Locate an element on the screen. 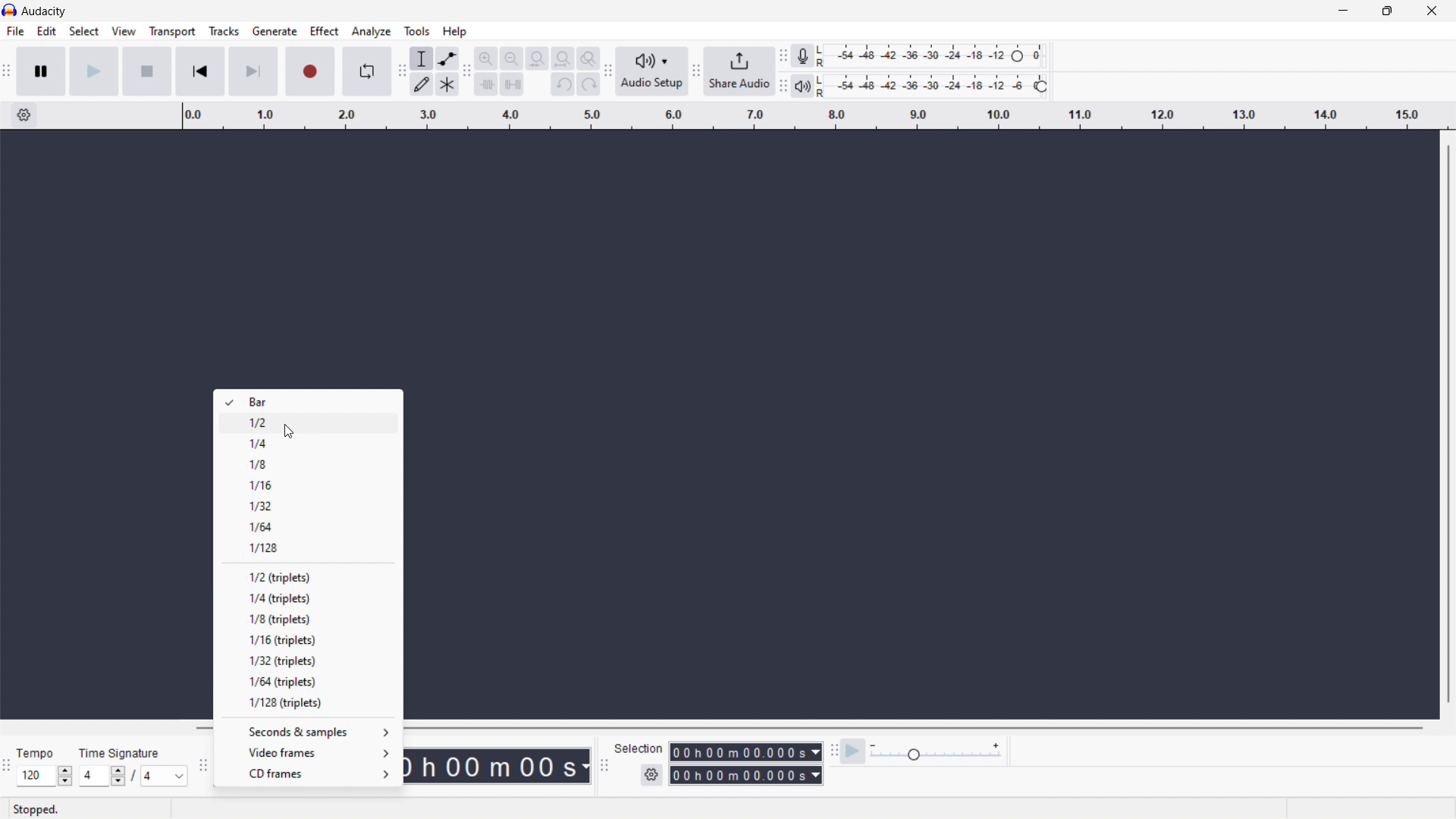 This screenshot has width=1456, height=819. selection toolbar is located at coordinates (605, 766).